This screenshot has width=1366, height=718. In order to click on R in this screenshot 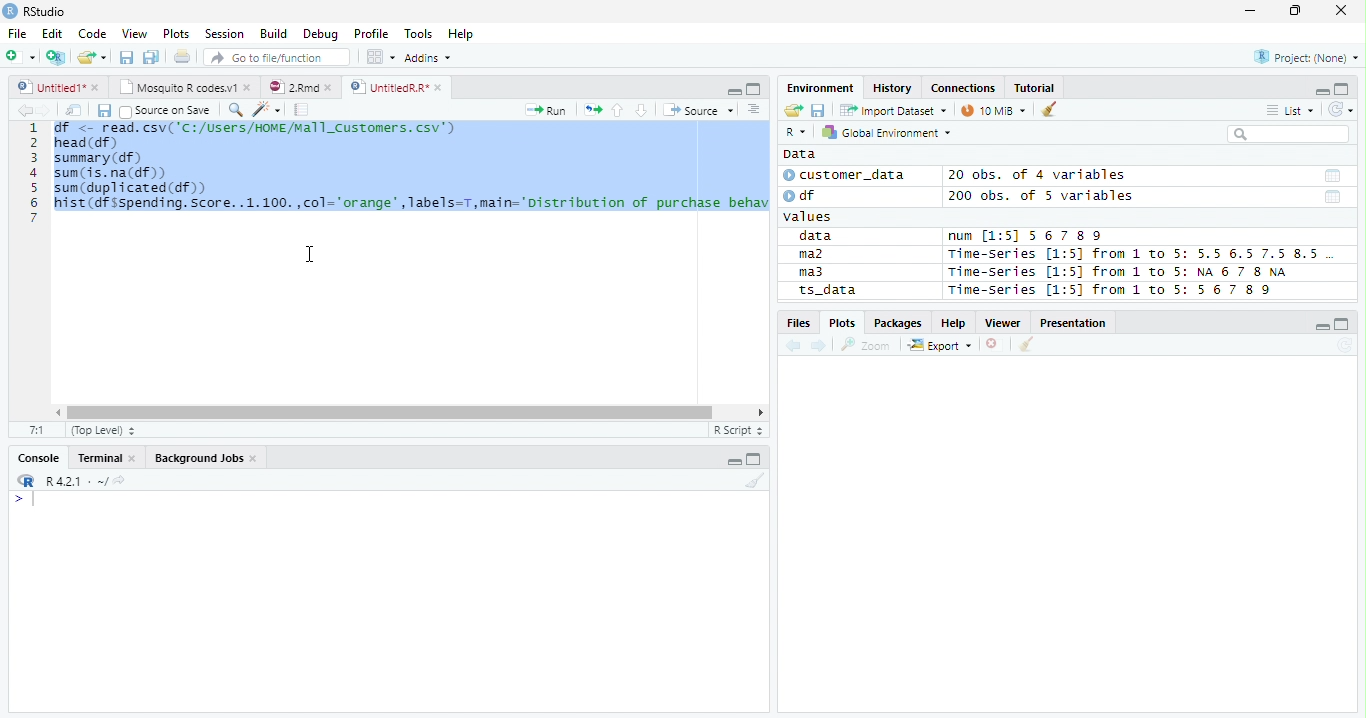, I will do `click(24, 481)`.